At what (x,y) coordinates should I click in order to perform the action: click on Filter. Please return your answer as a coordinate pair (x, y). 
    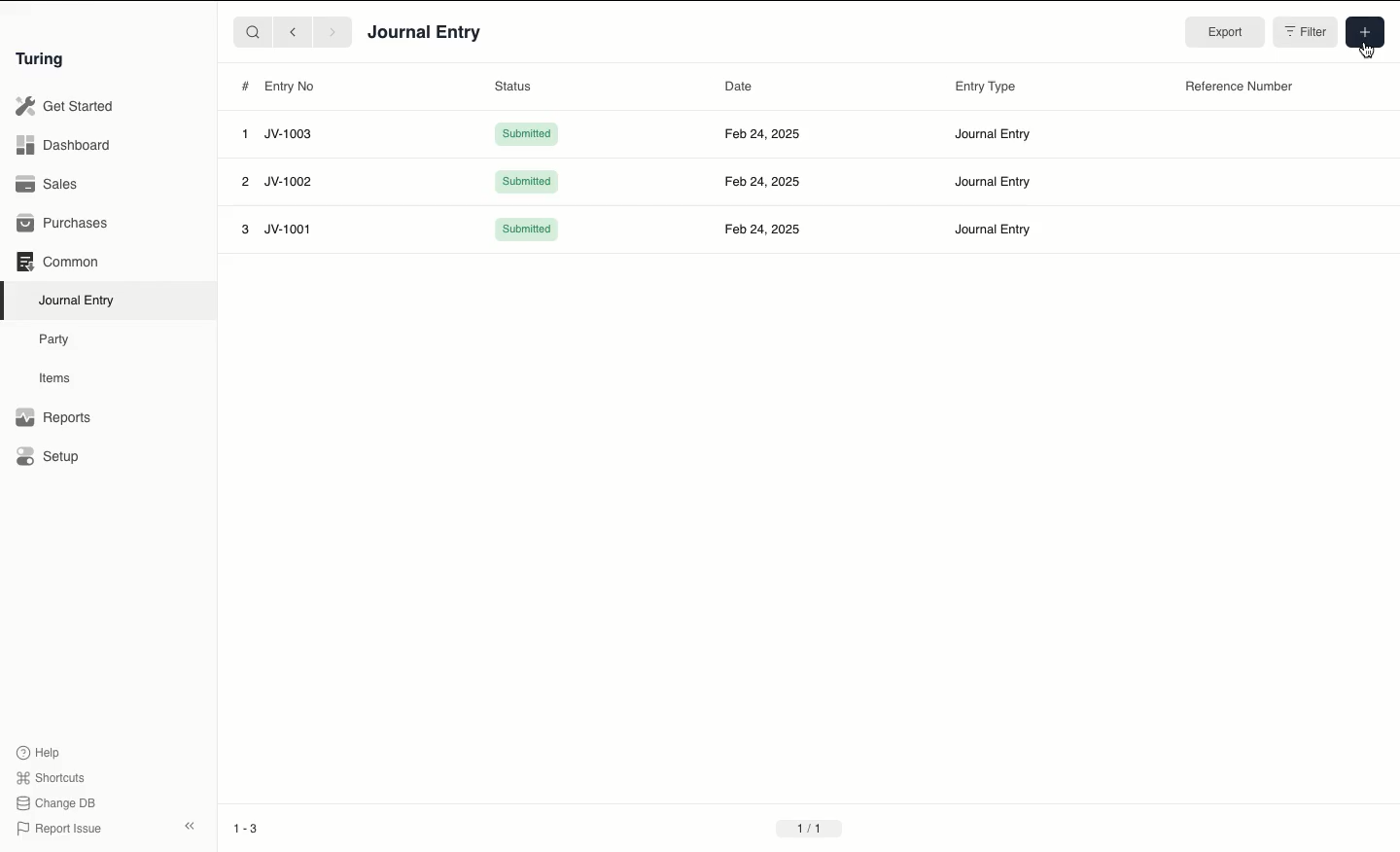
    Looking at the image, I should click on (1303, 30).